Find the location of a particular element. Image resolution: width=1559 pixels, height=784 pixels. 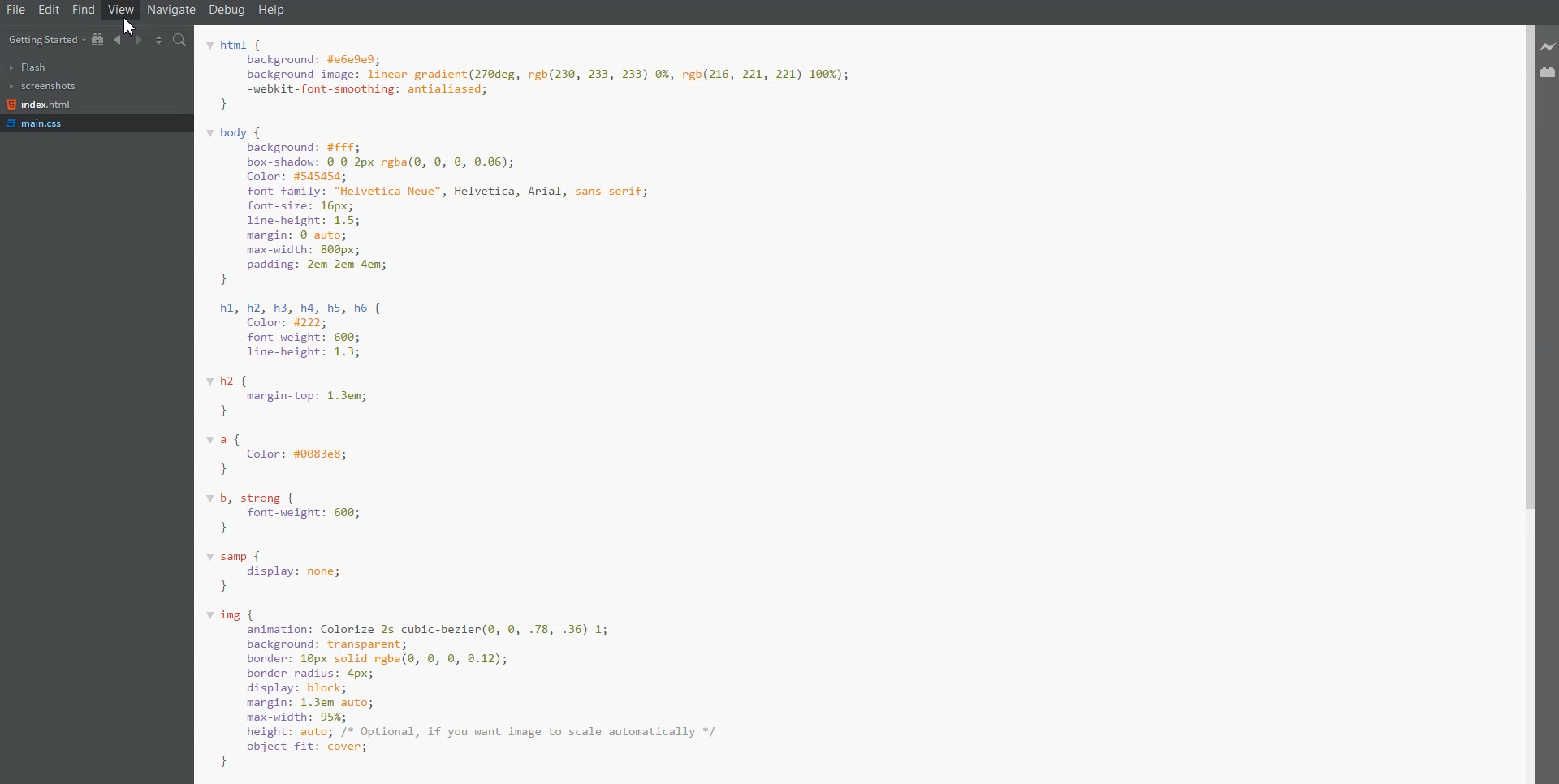

Split editor vertically and Horizontally is located at coordinates (159, 39).